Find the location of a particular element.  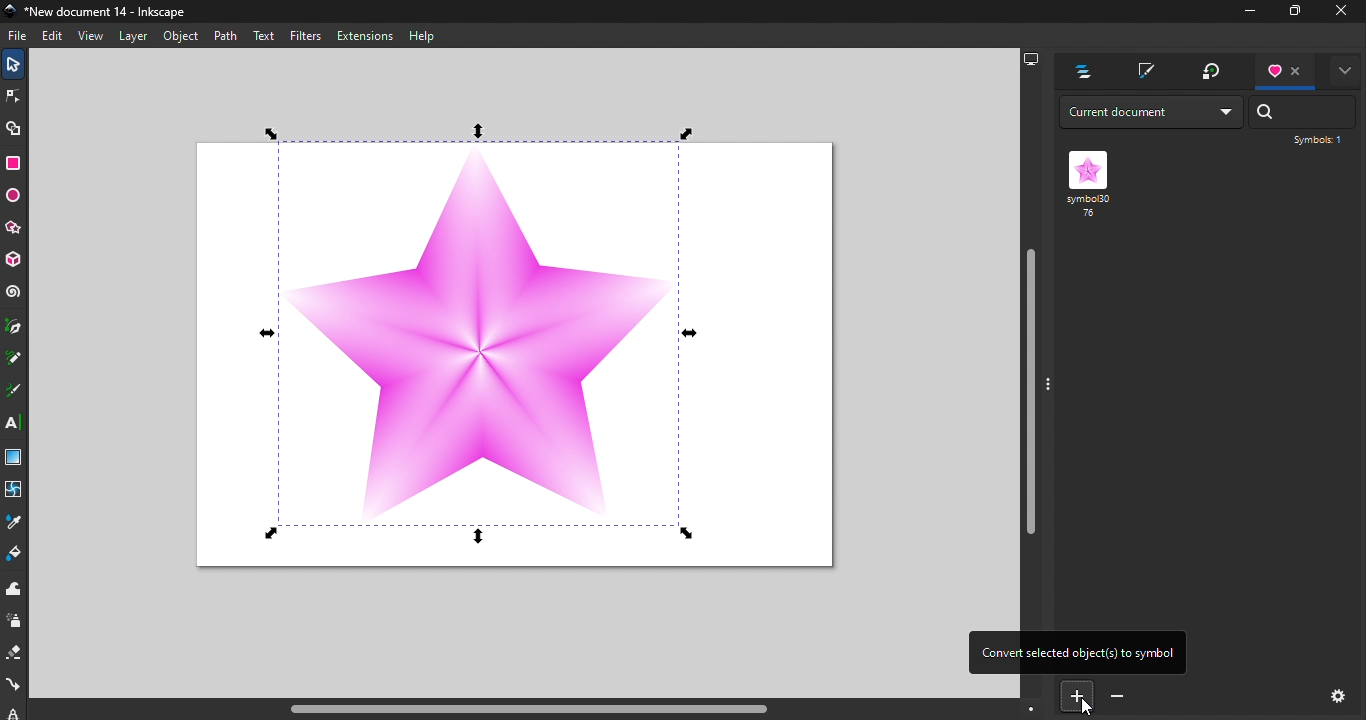

Convert selected objects to symbol is located at coordinates (1075, 653).